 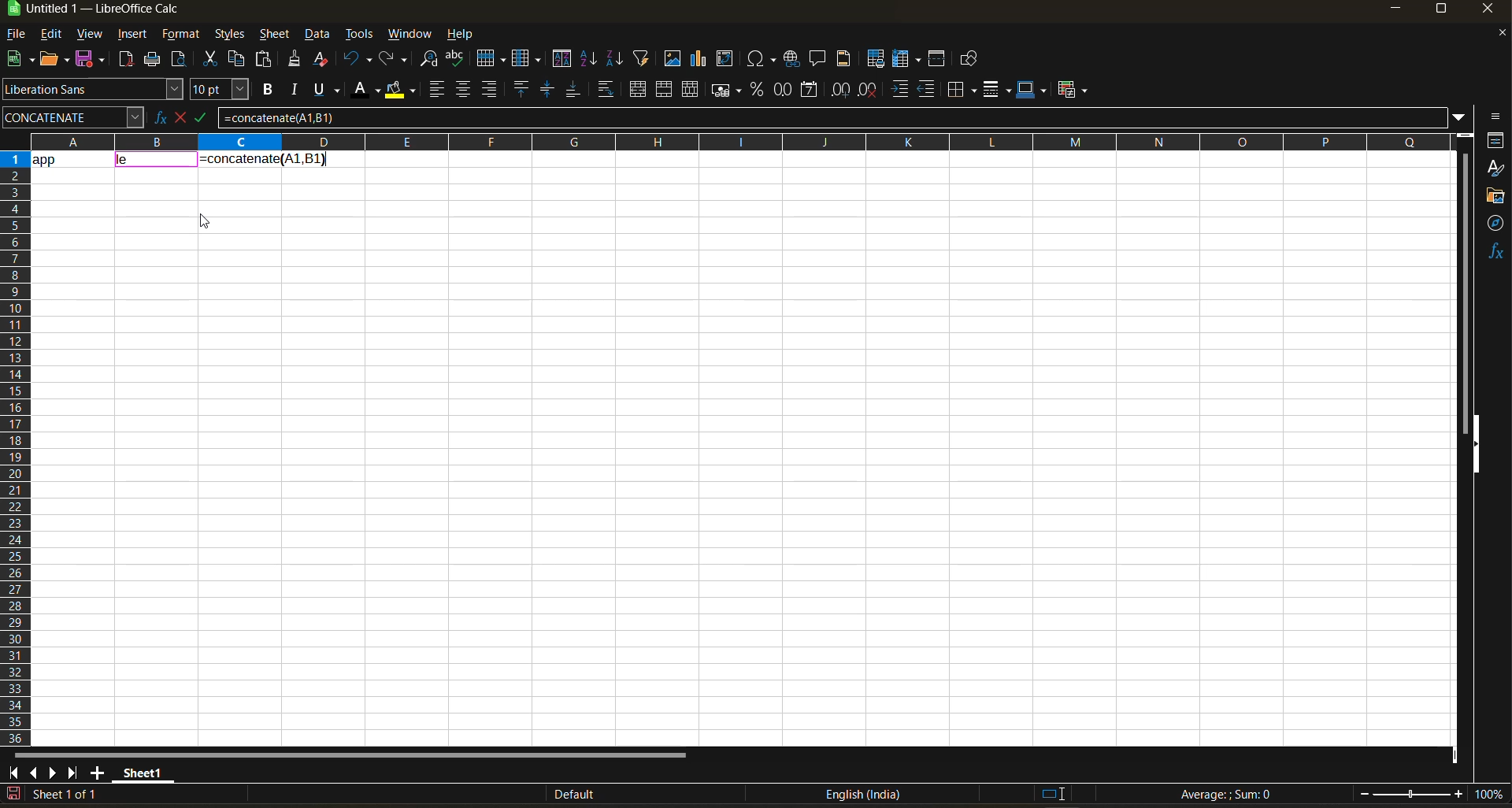 I want to click on tools, so click(x=359, y=36).